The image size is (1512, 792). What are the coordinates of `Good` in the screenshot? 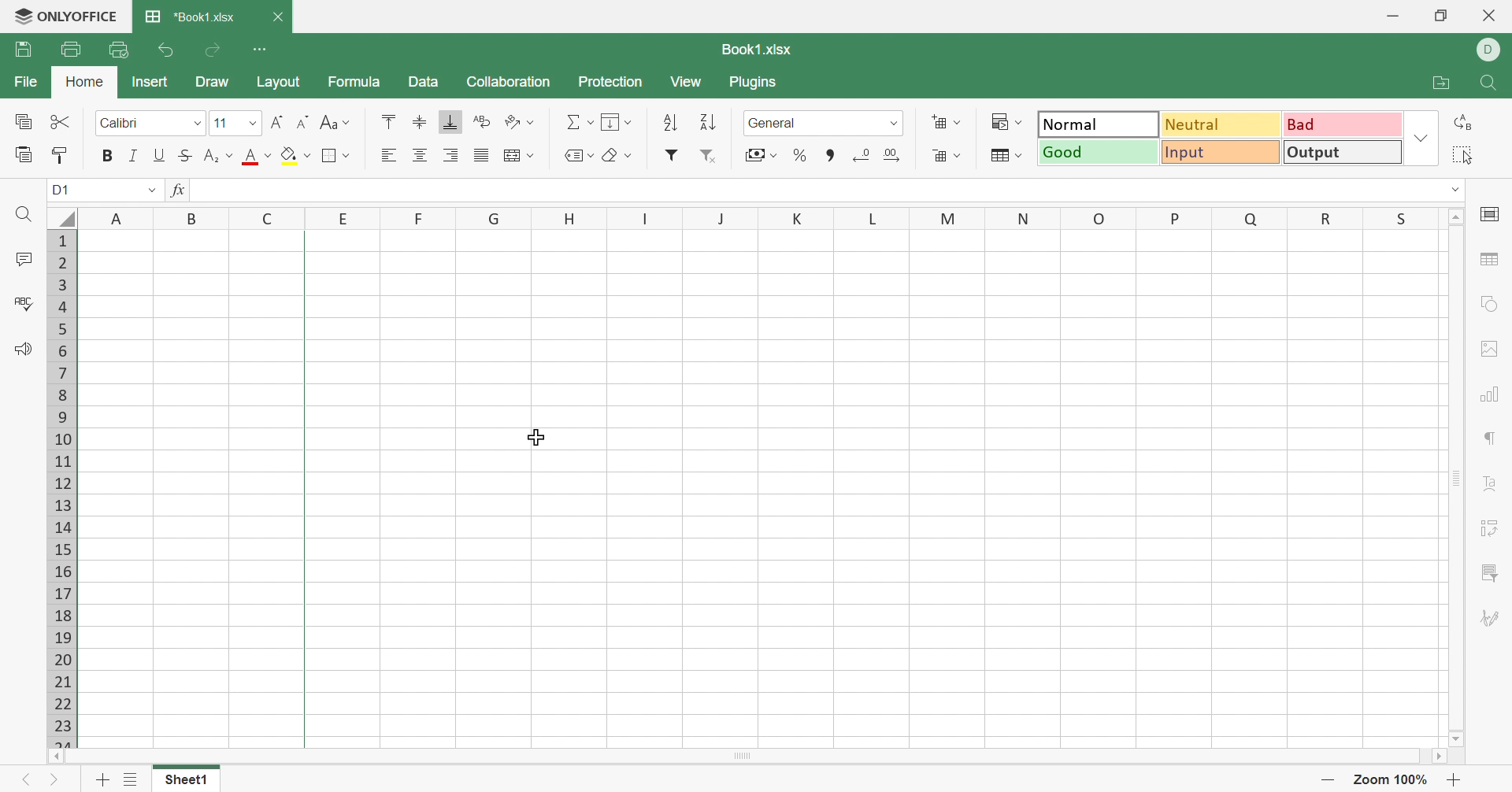 It's located at (1099, 154).